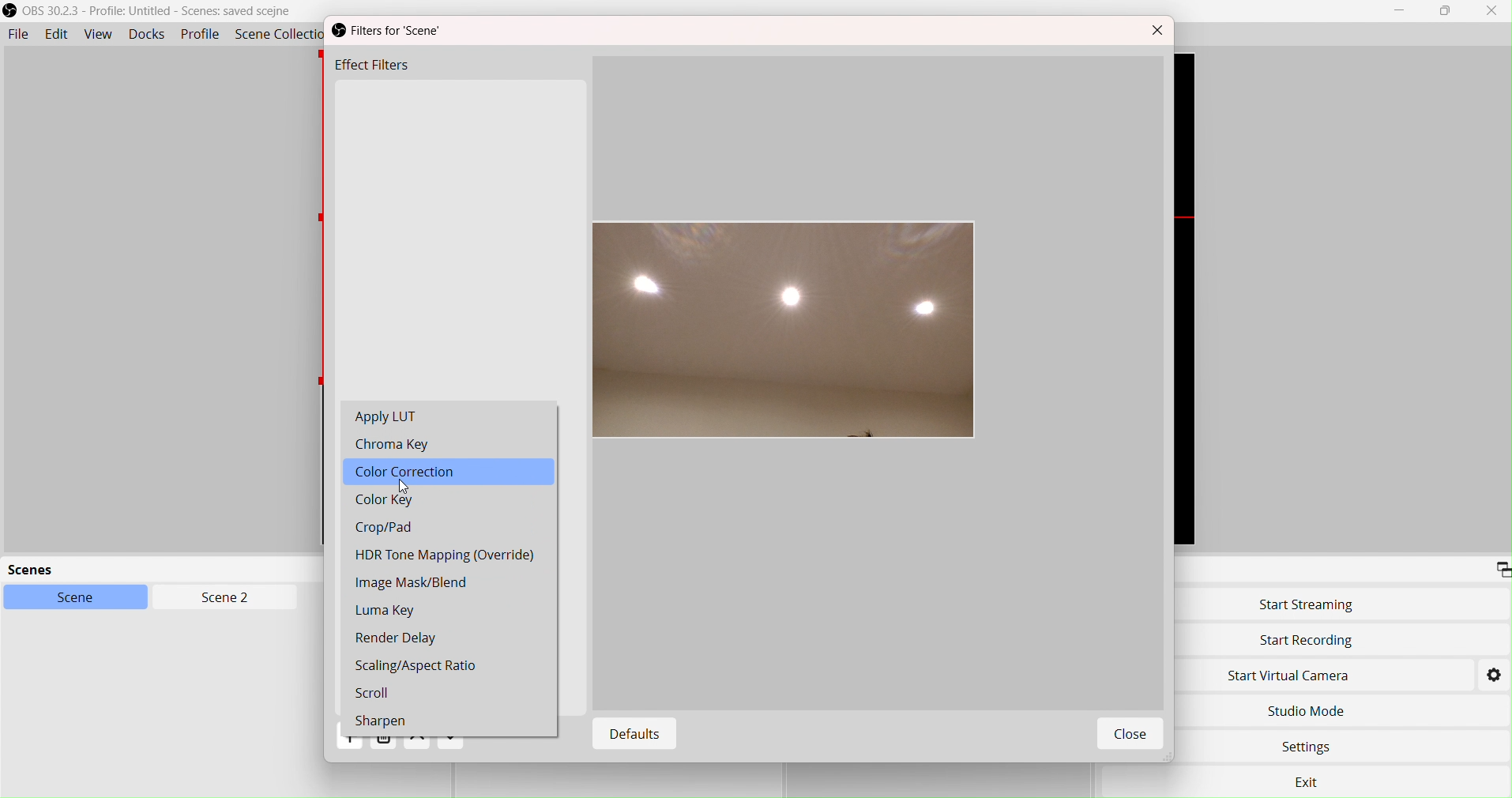 Image resolution: width=1512 pixels, height=798 pixels. Describe the element at coordinates (1299, 675) in the screenshot. I see `Start Virtual Camera` at that location.